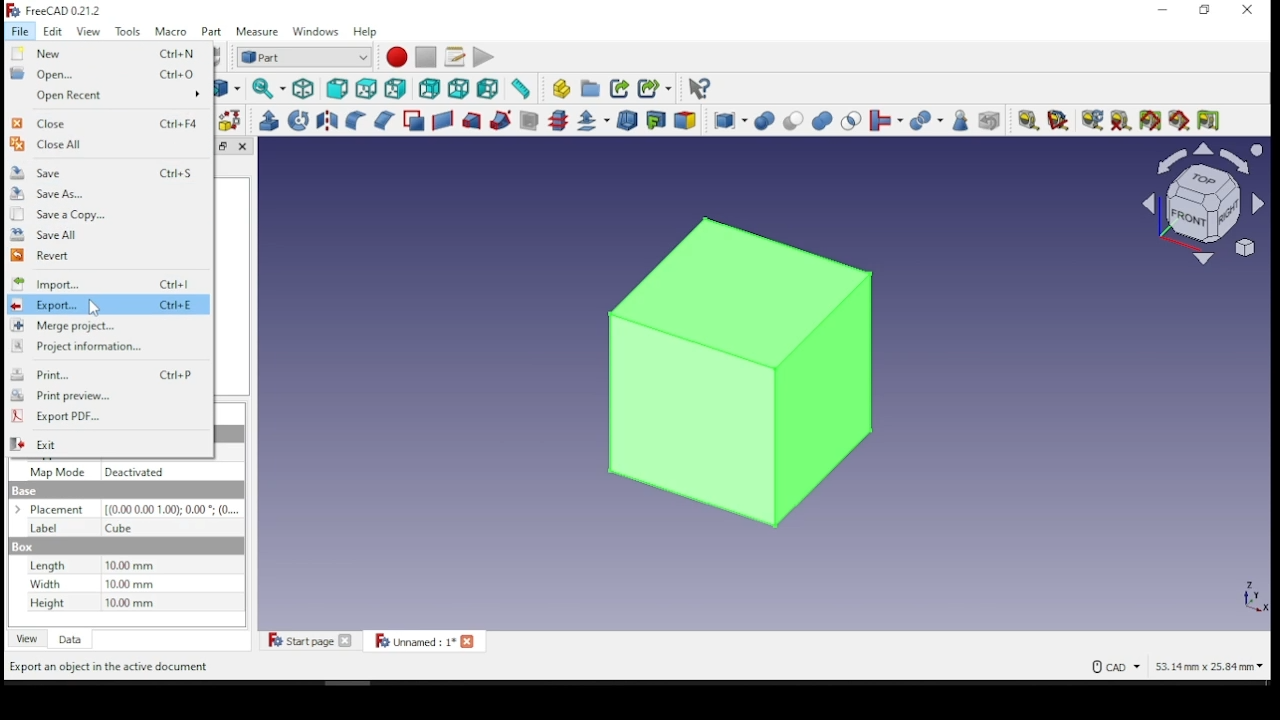 The width and height of the screenshot is (1280, 720). I want to click on defeaturing, so click(990, 121).